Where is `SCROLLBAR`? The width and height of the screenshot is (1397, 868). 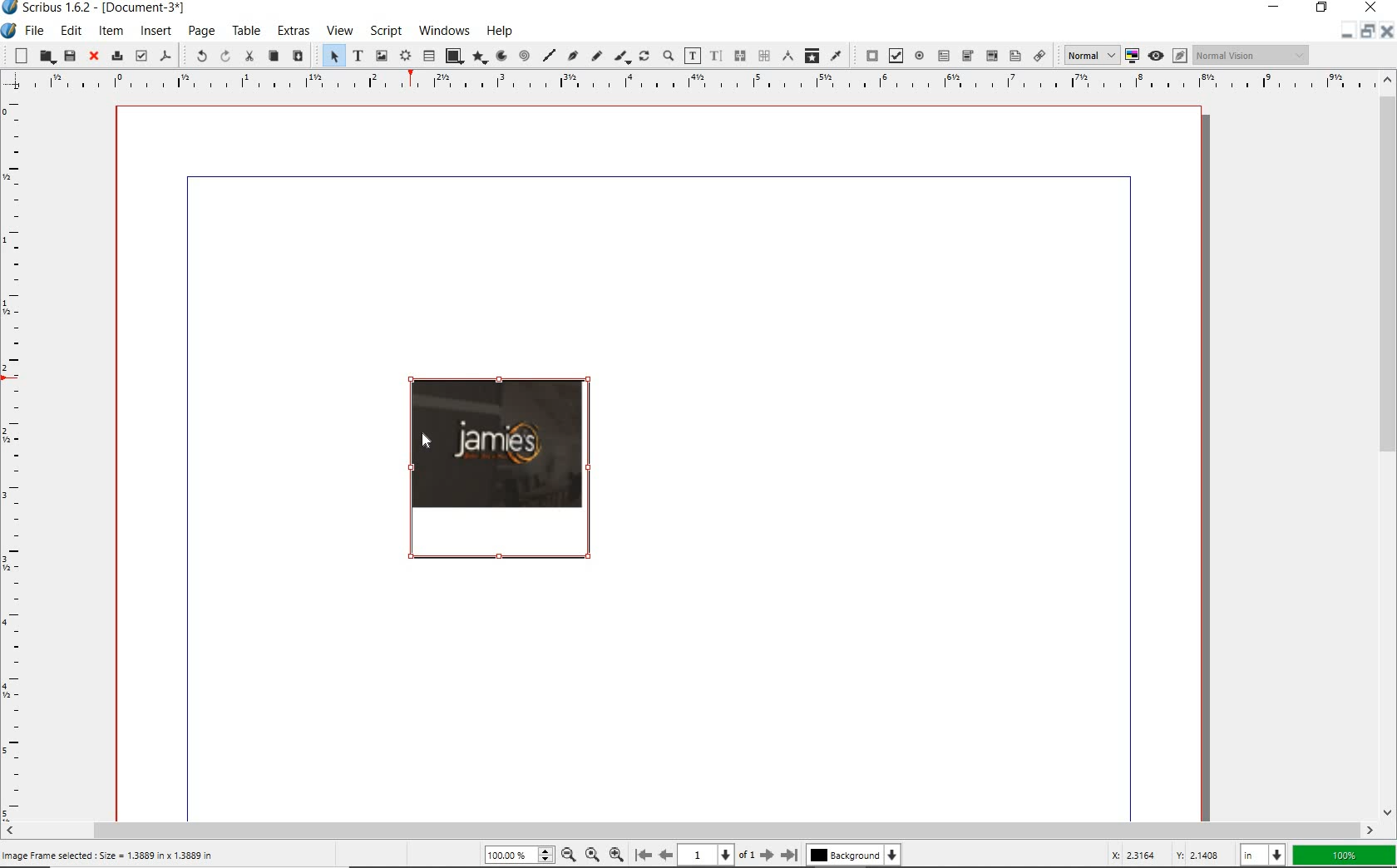 SCROLLBAR is located at coordinates (1389, 446).